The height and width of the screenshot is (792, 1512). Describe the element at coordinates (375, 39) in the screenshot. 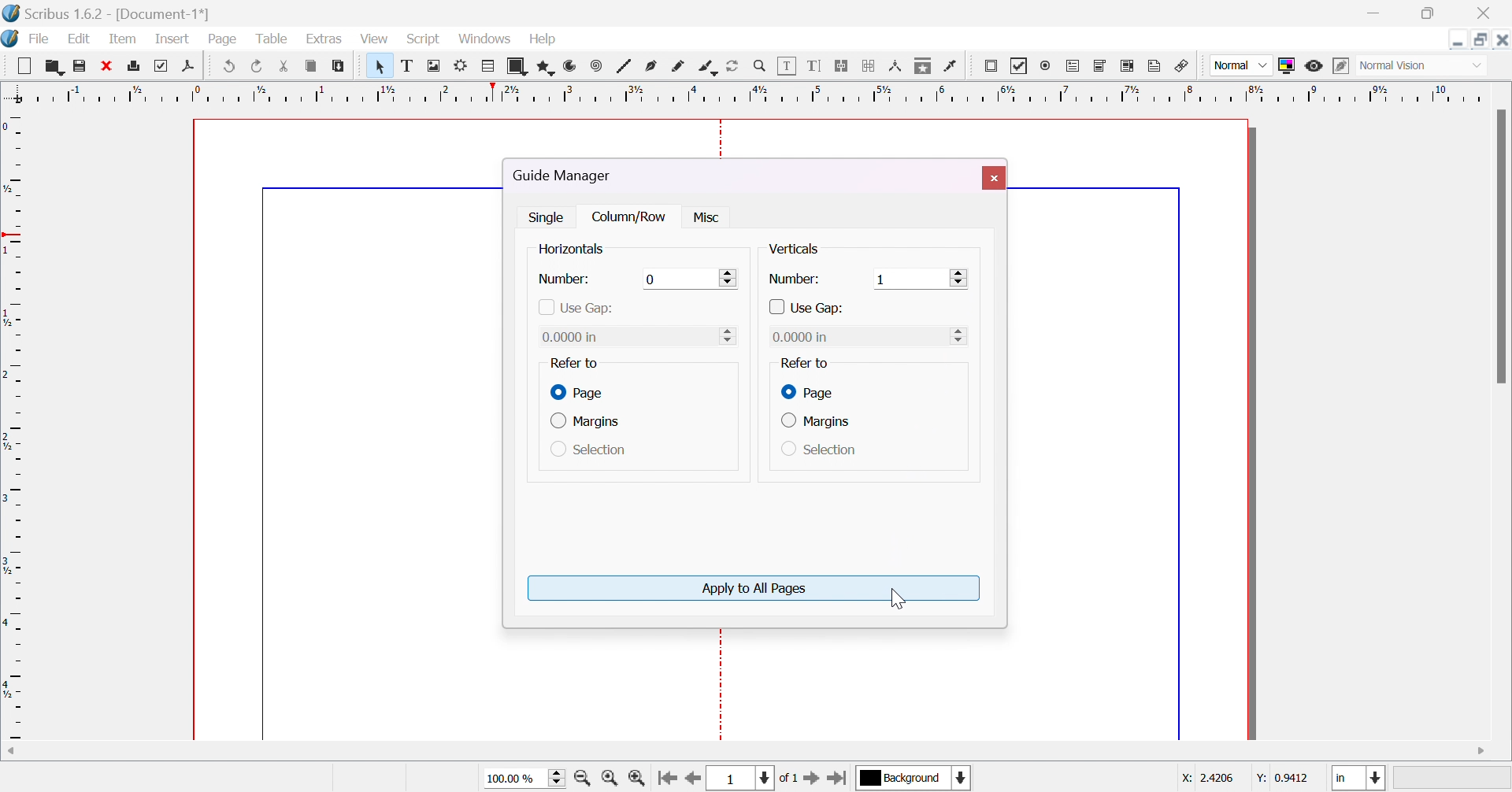

I see `view` at that location.